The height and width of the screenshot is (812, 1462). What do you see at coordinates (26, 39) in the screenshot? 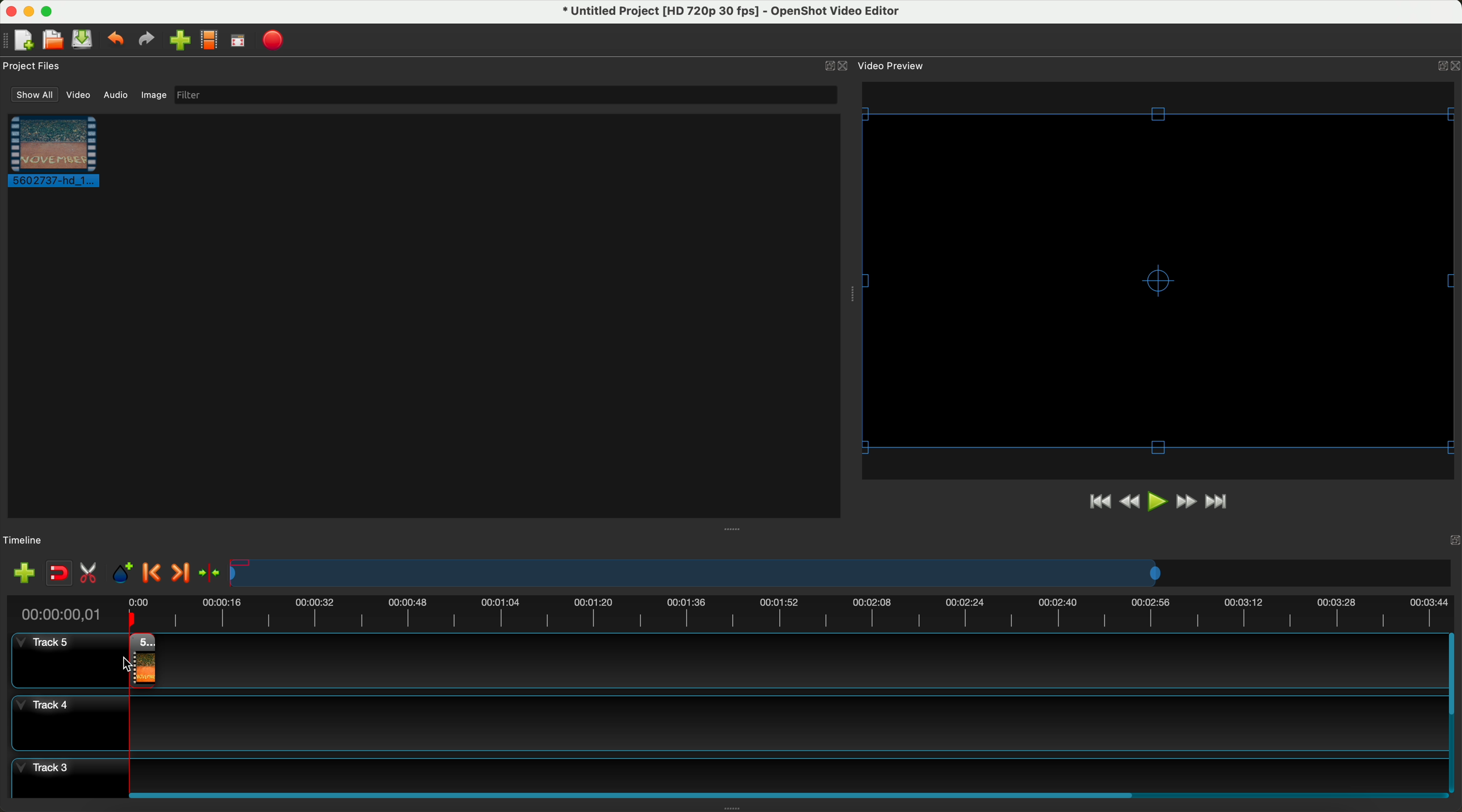
I see `new project` at bounding box center [26, 39].